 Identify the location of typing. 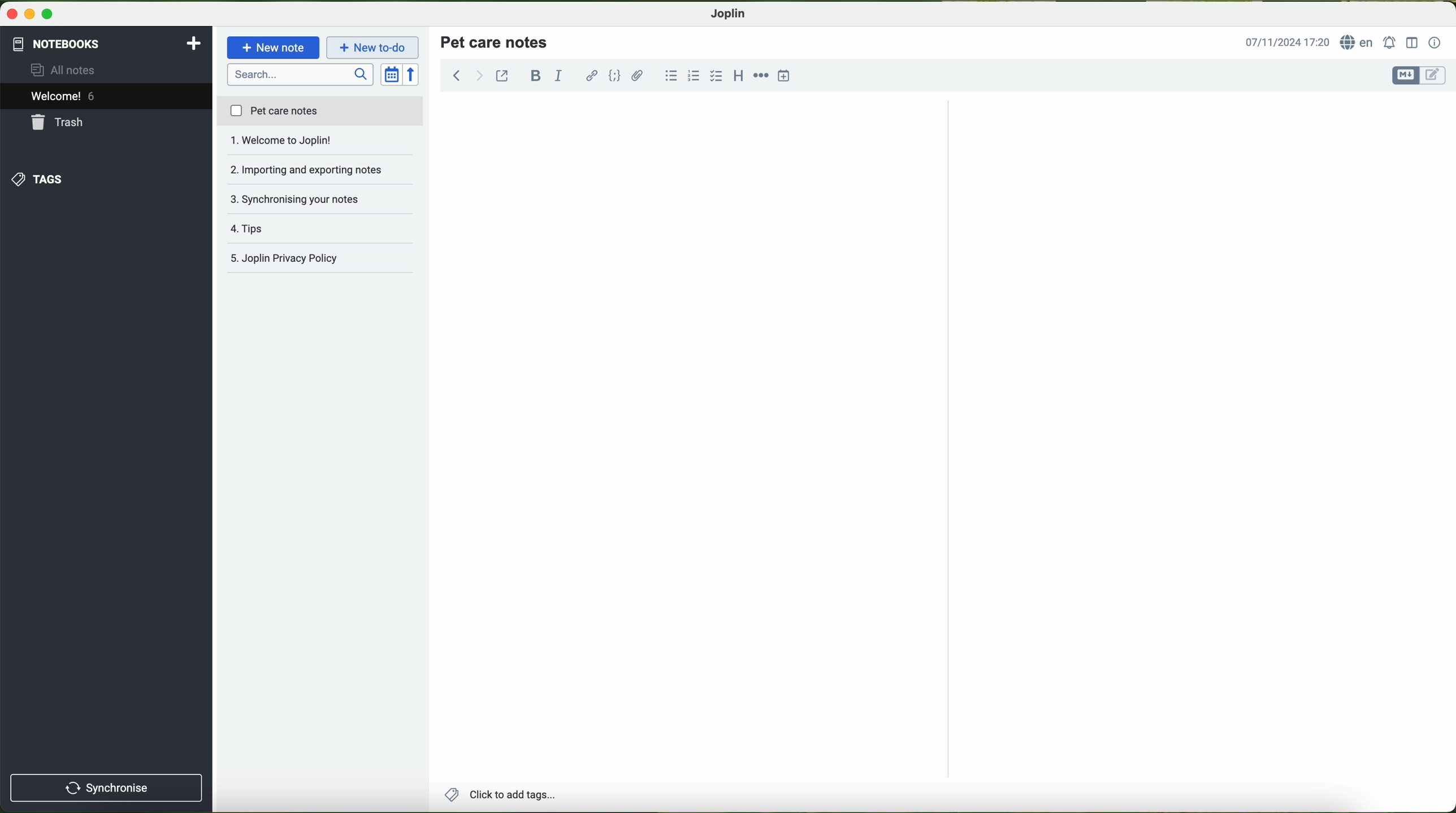
(460, 114).